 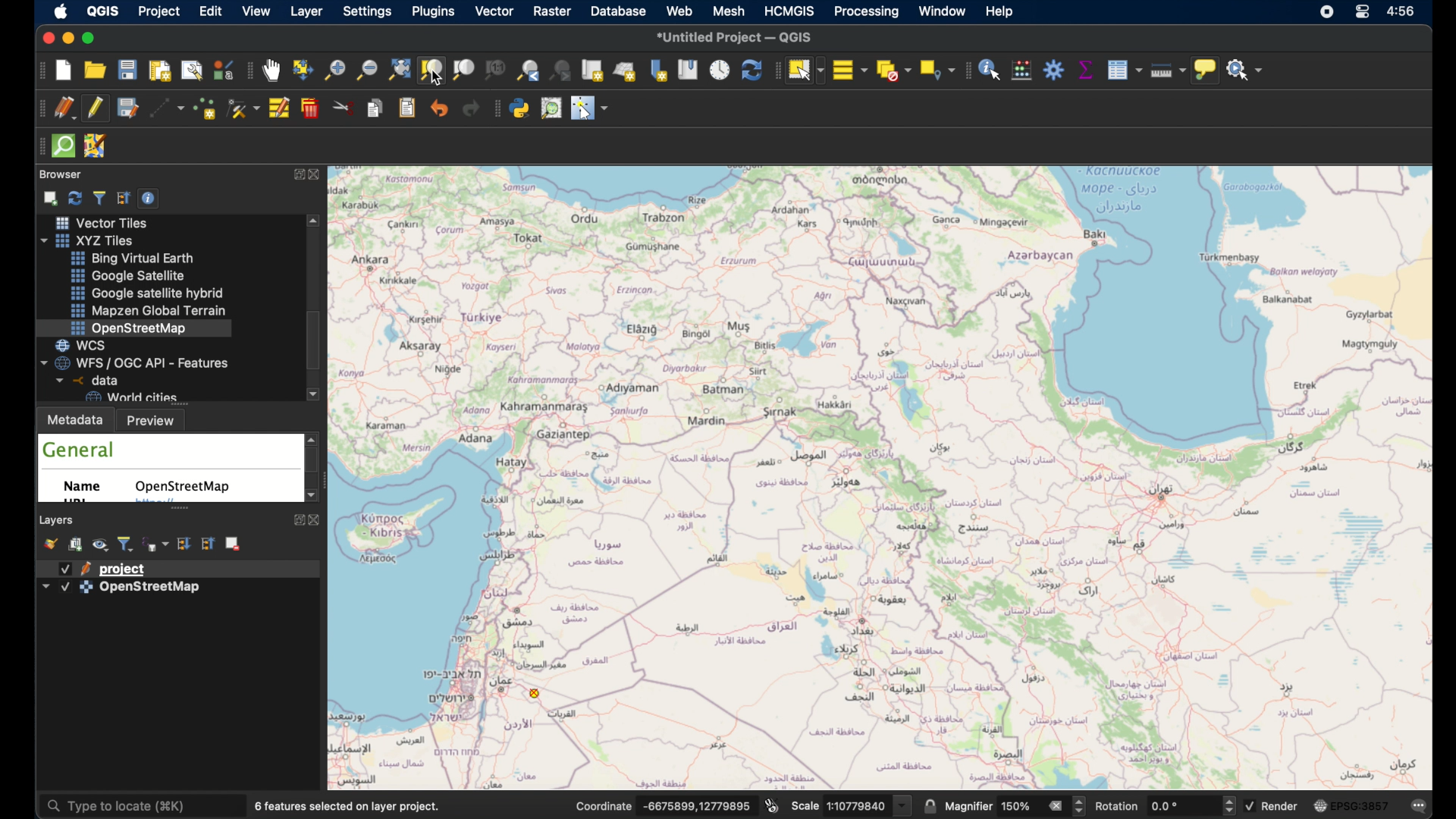 What do you see at coordinates (935, 70) in the screenshot?
I see `select by location` at bounding box center [935, 70].